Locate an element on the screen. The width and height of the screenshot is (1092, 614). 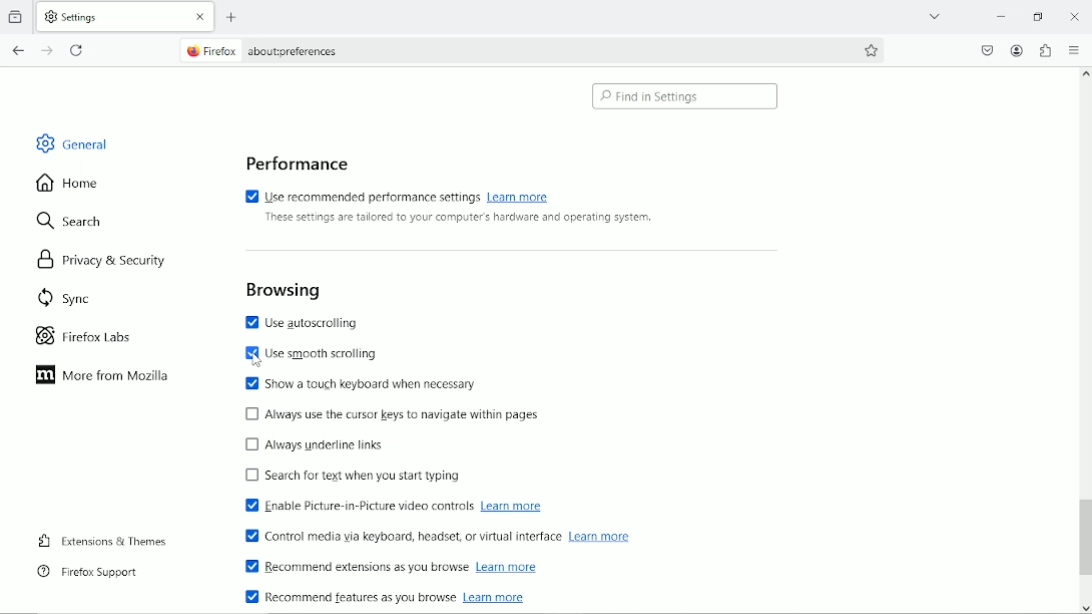
Firefox  about:preferences is located at coordinates (260, 52).